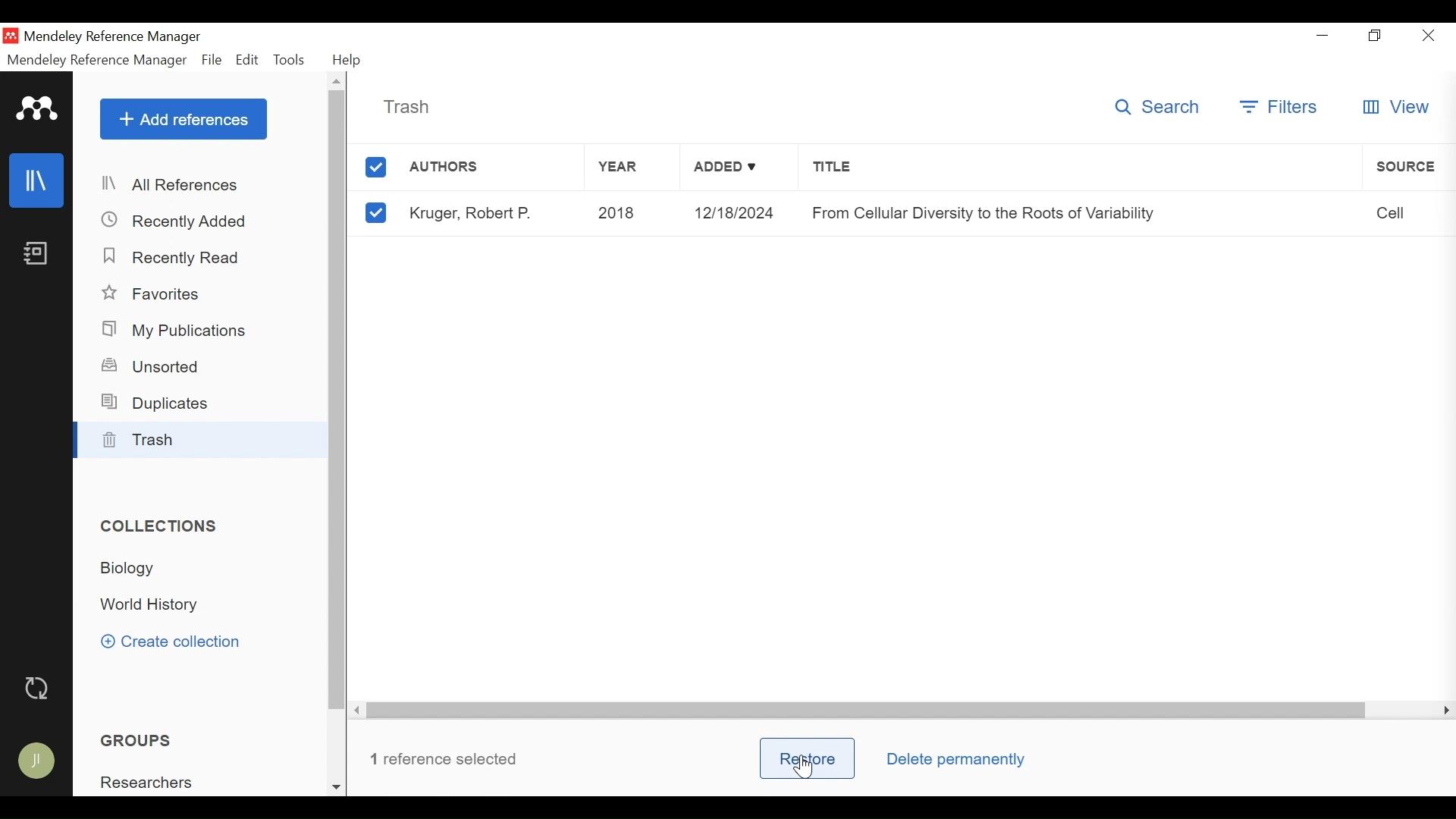 The width and height of the screenshot is (1456, 819). What do you see at coordinates (180, 331) in the screenshot?
I see `My Publications` at bounding box center [180, 331].